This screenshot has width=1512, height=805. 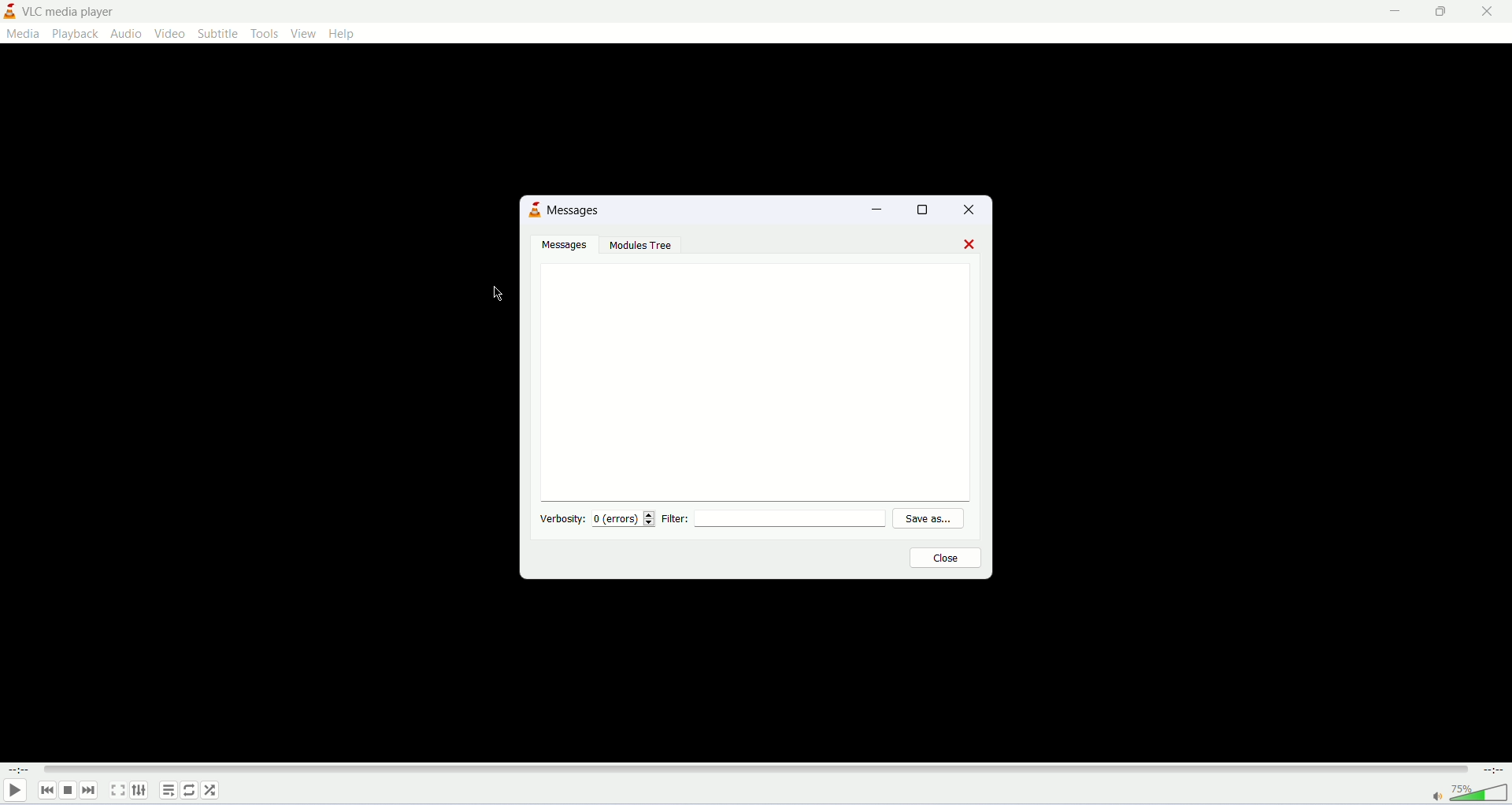 What do you see at coordinates (577, 210) in the screenshot?
I see `messages` at bounding box center [577, 210].